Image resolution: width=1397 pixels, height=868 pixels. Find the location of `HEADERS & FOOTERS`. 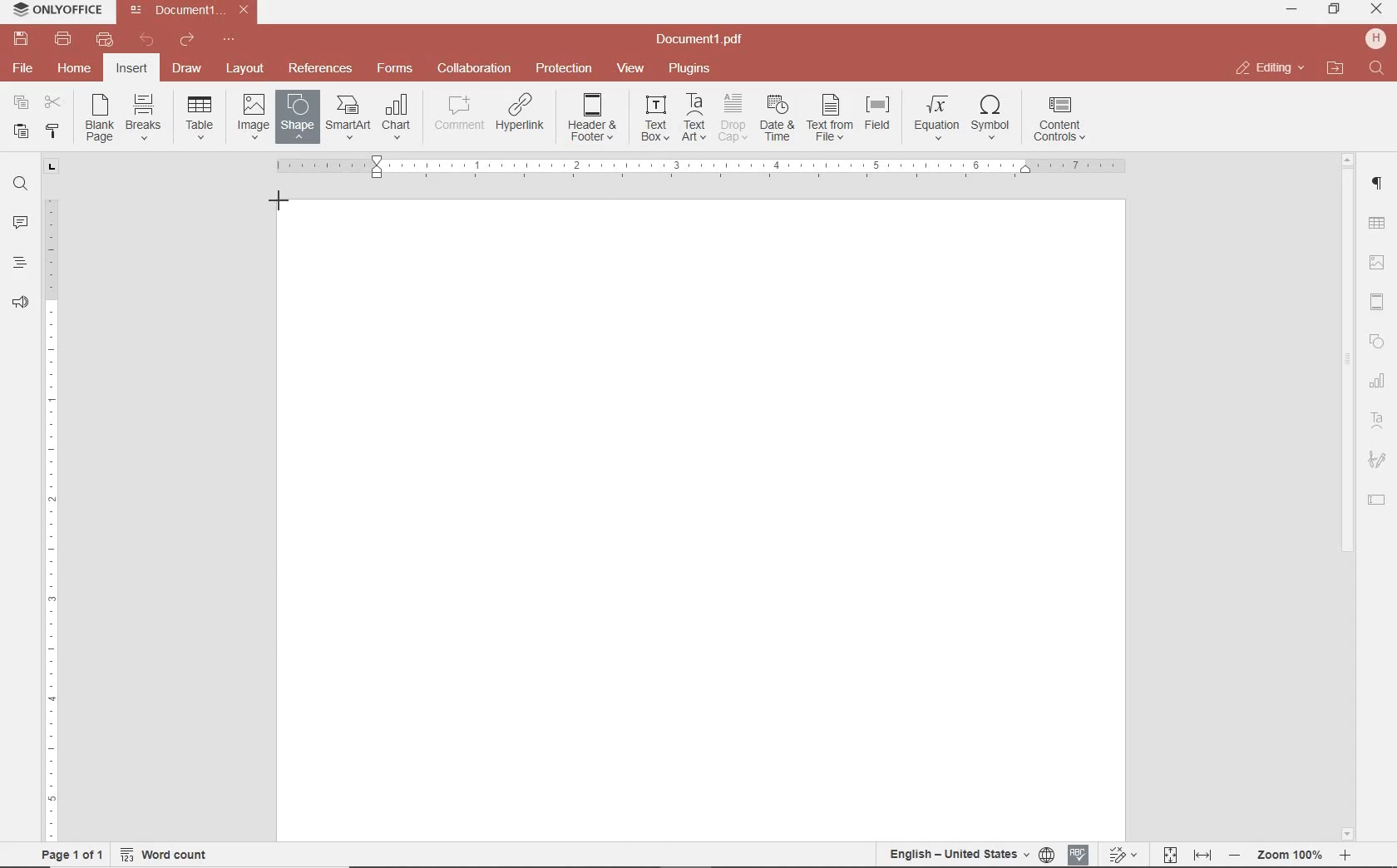

HEADERS & FOOTERS is located at coordinates (1378, 303).